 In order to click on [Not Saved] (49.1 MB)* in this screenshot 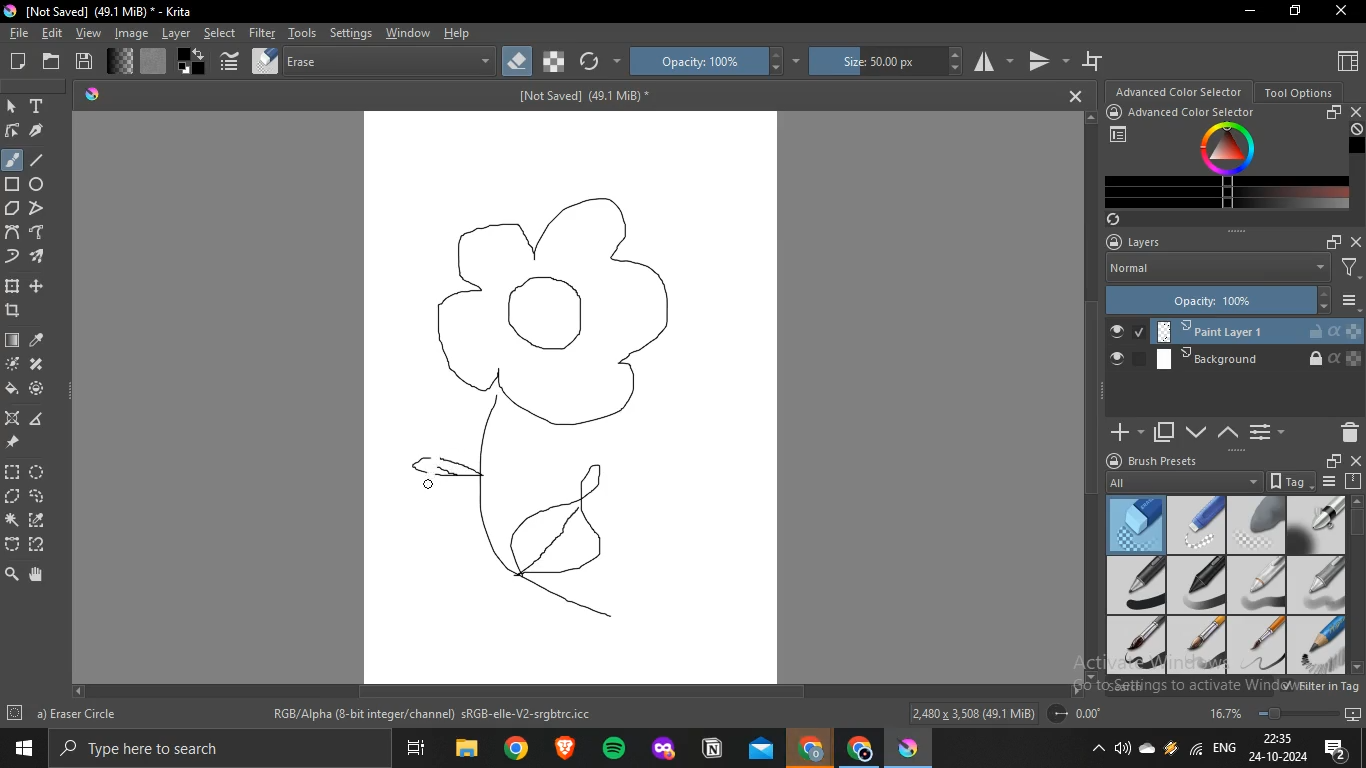, I will do `click(582, 97)`.